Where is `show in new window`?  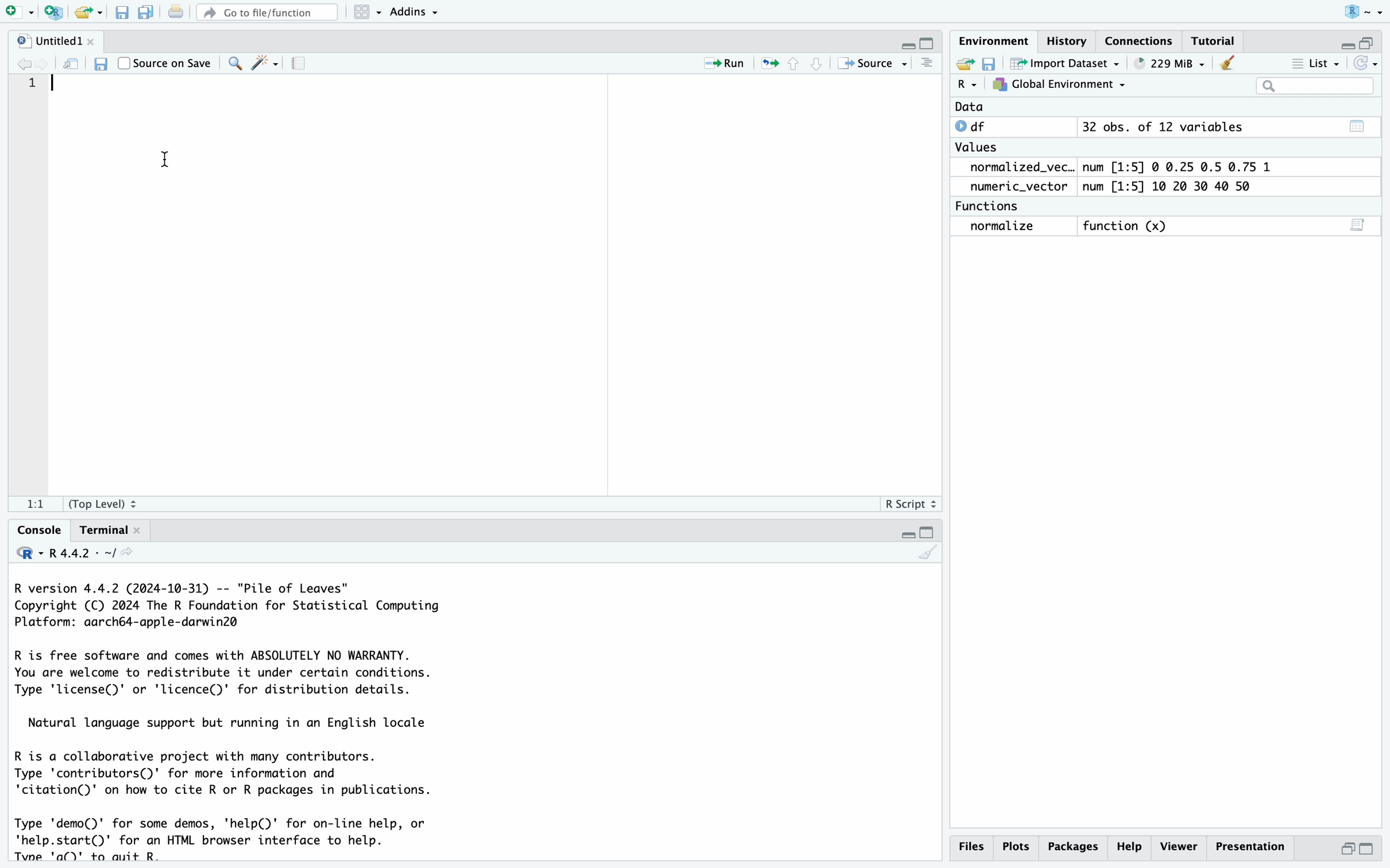
show in new window is located at coordinates (74, 64).